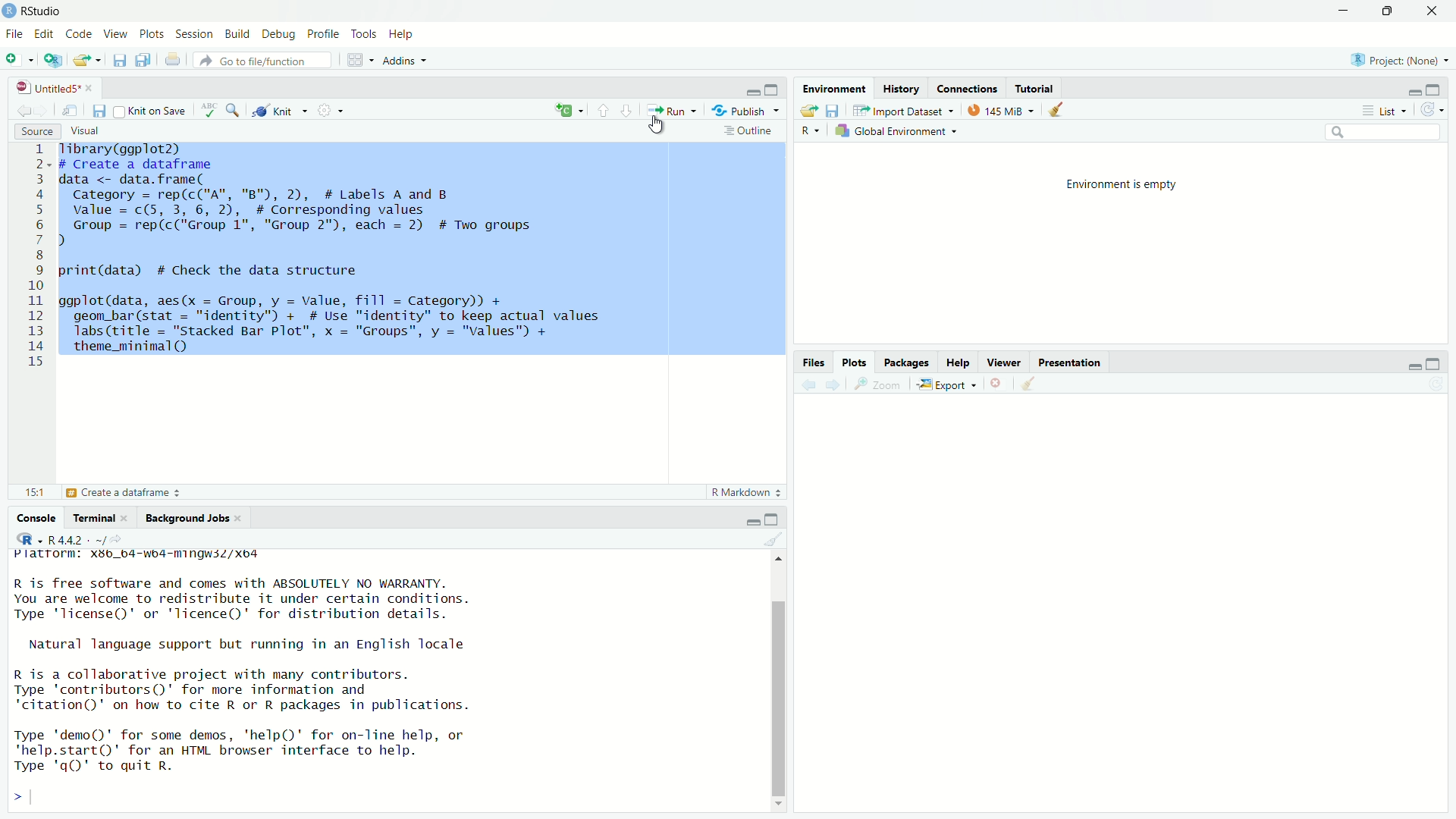  What do you see at coordinates (904, 110) in the screenshot?
I see `Import Dataset` at bounding box center [904, 110].